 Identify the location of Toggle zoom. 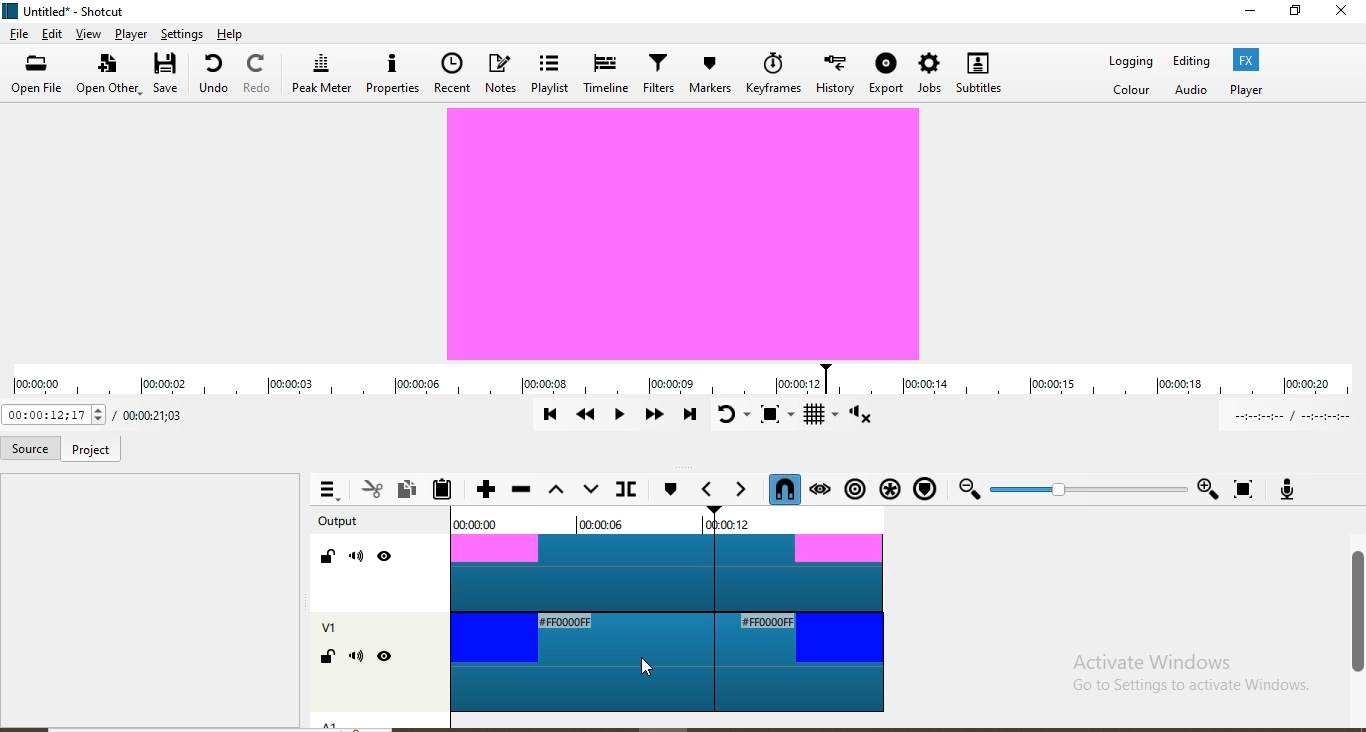
(776, 418).